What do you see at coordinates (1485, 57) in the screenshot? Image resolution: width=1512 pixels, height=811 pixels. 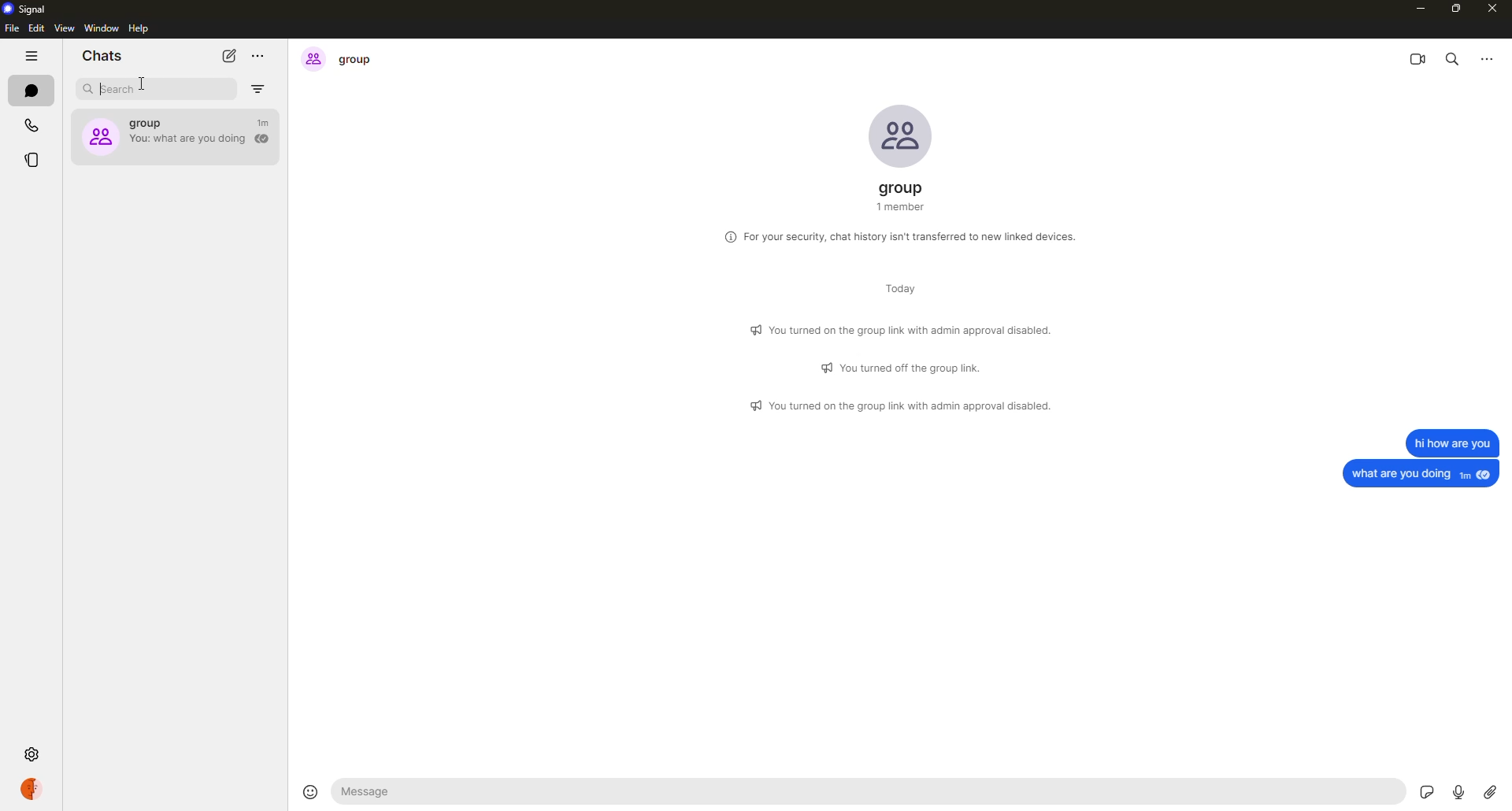 I see `more` at bounding box center [1485, 57].